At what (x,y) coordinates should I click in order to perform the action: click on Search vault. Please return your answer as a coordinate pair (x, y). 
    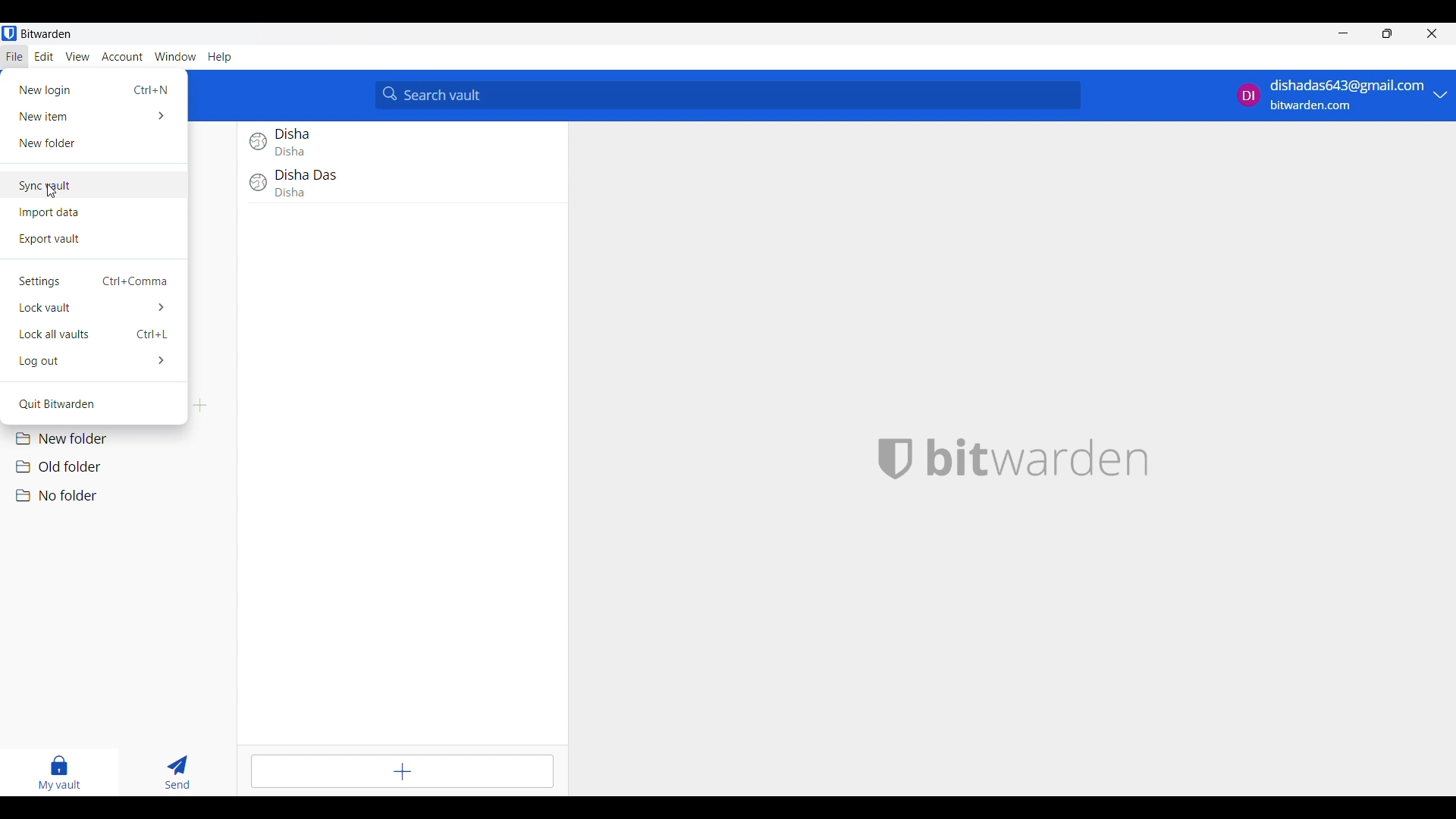
    Looking at the image, I should click on (729, 96).